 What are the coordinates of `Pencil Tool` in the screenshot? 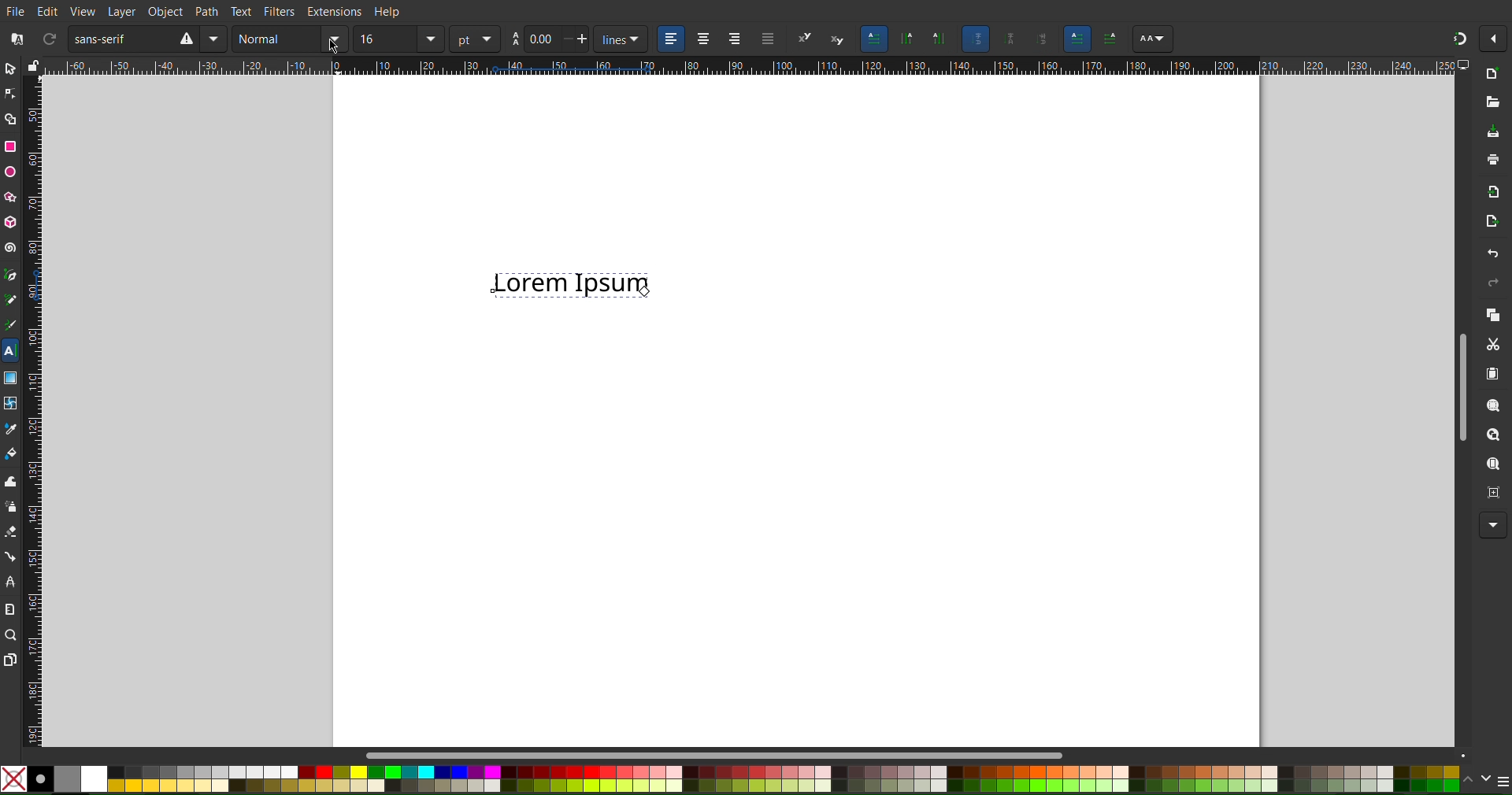 It's located at (10, 299).